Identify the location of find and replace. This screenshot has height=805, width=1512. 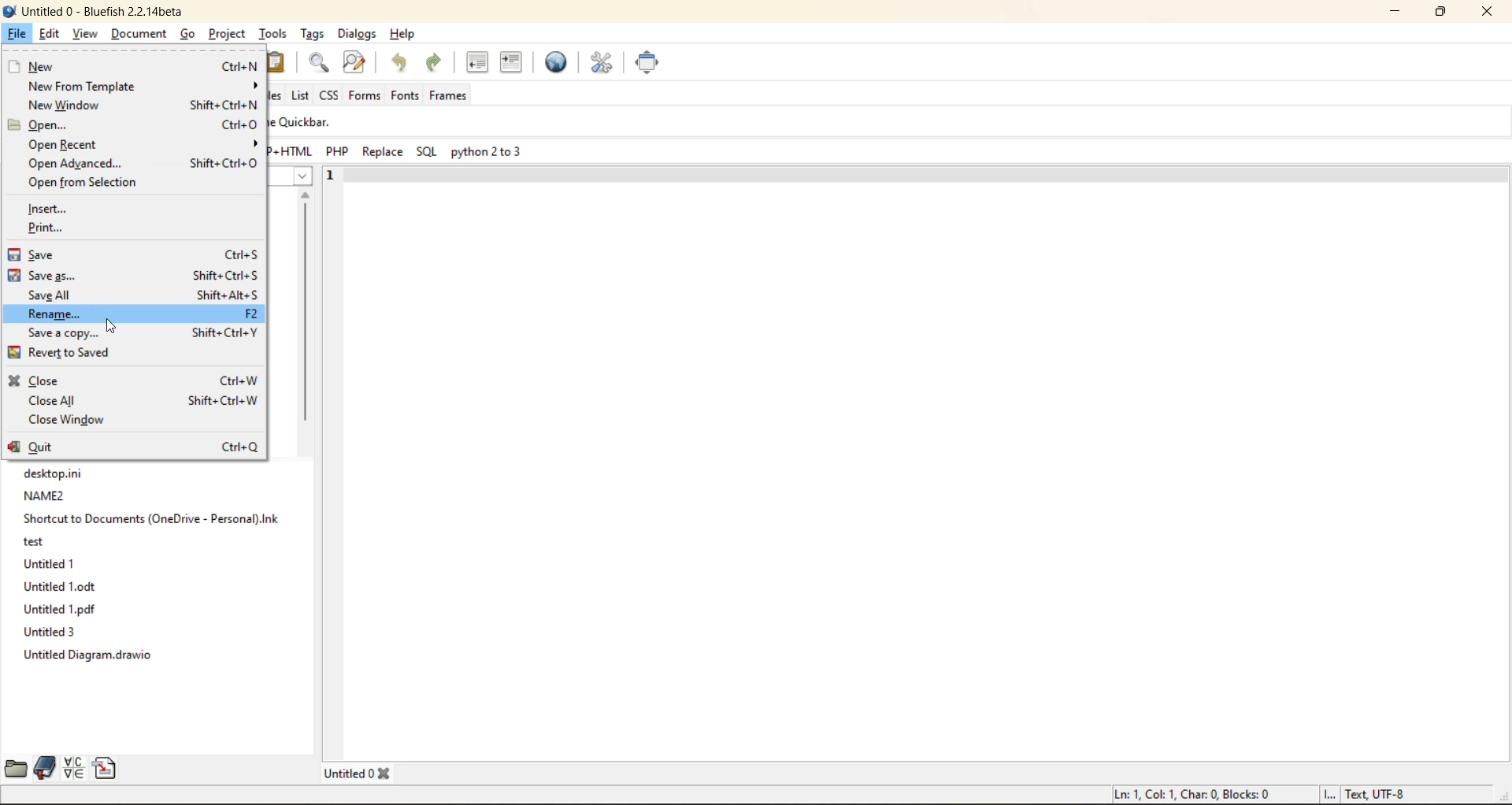
(355, 63).